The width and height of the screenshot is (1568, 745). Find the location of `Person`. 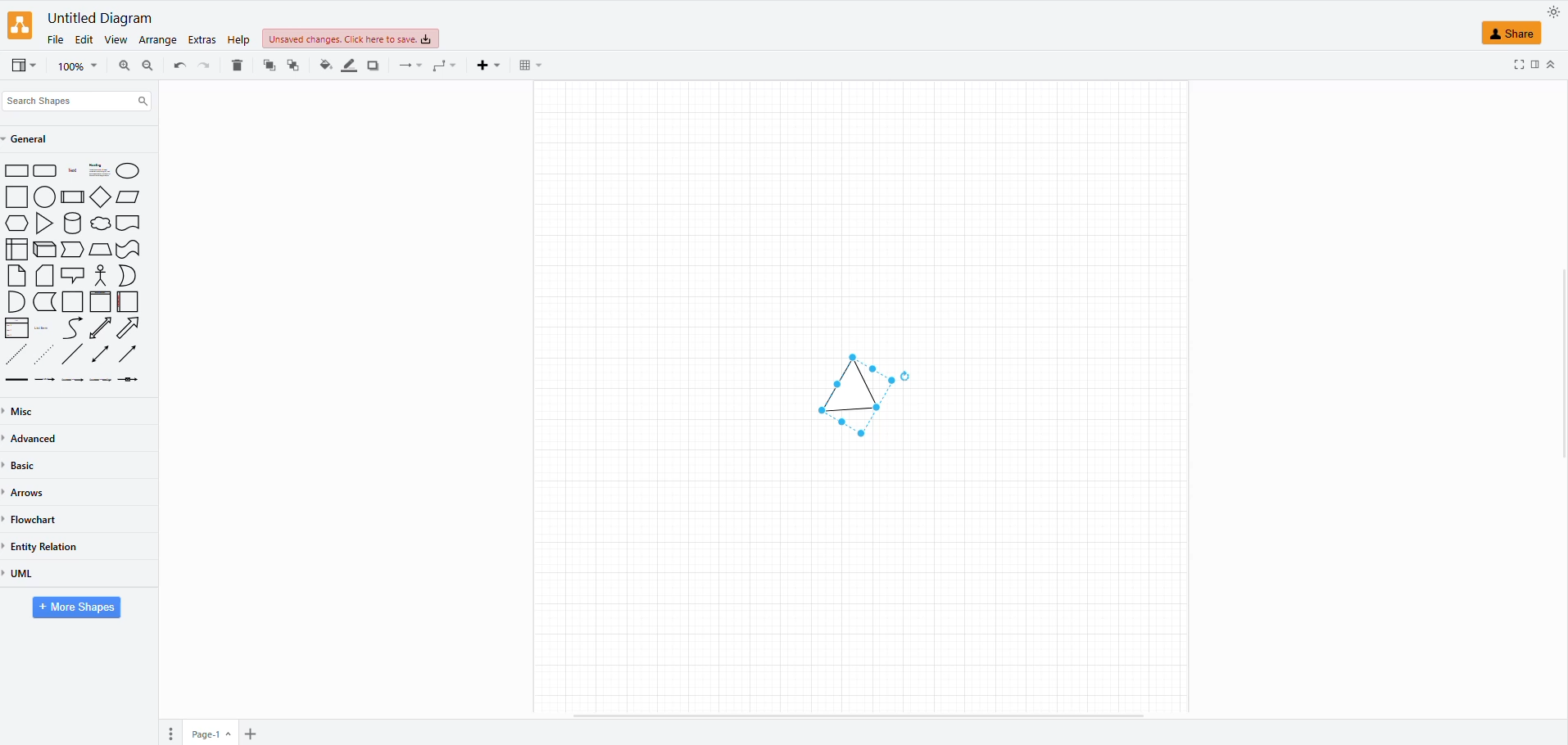

Person is located at coordinates (101, 275).